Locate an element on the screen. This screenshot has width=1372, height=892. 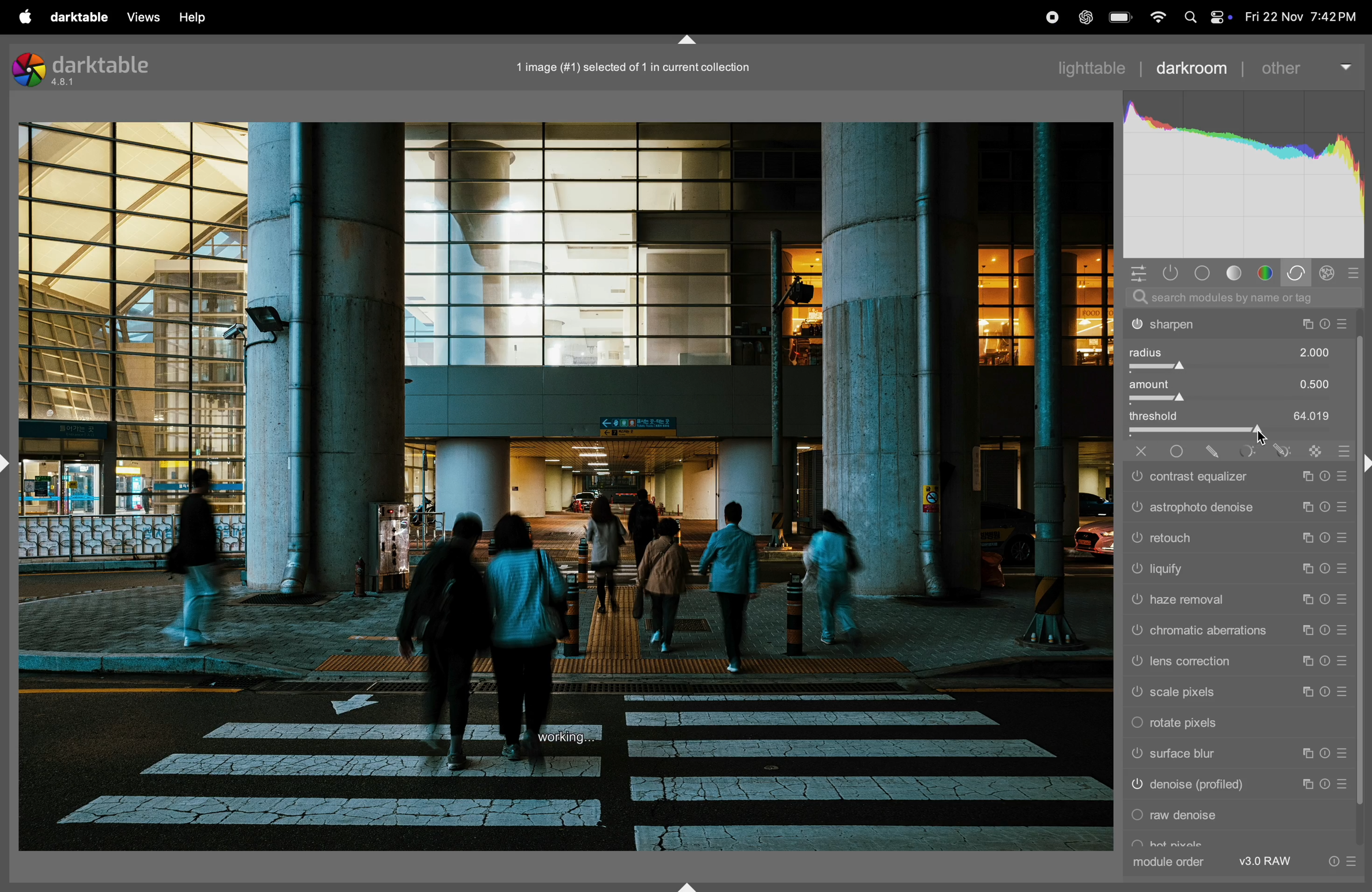
image is located at coordinates (566, 487).